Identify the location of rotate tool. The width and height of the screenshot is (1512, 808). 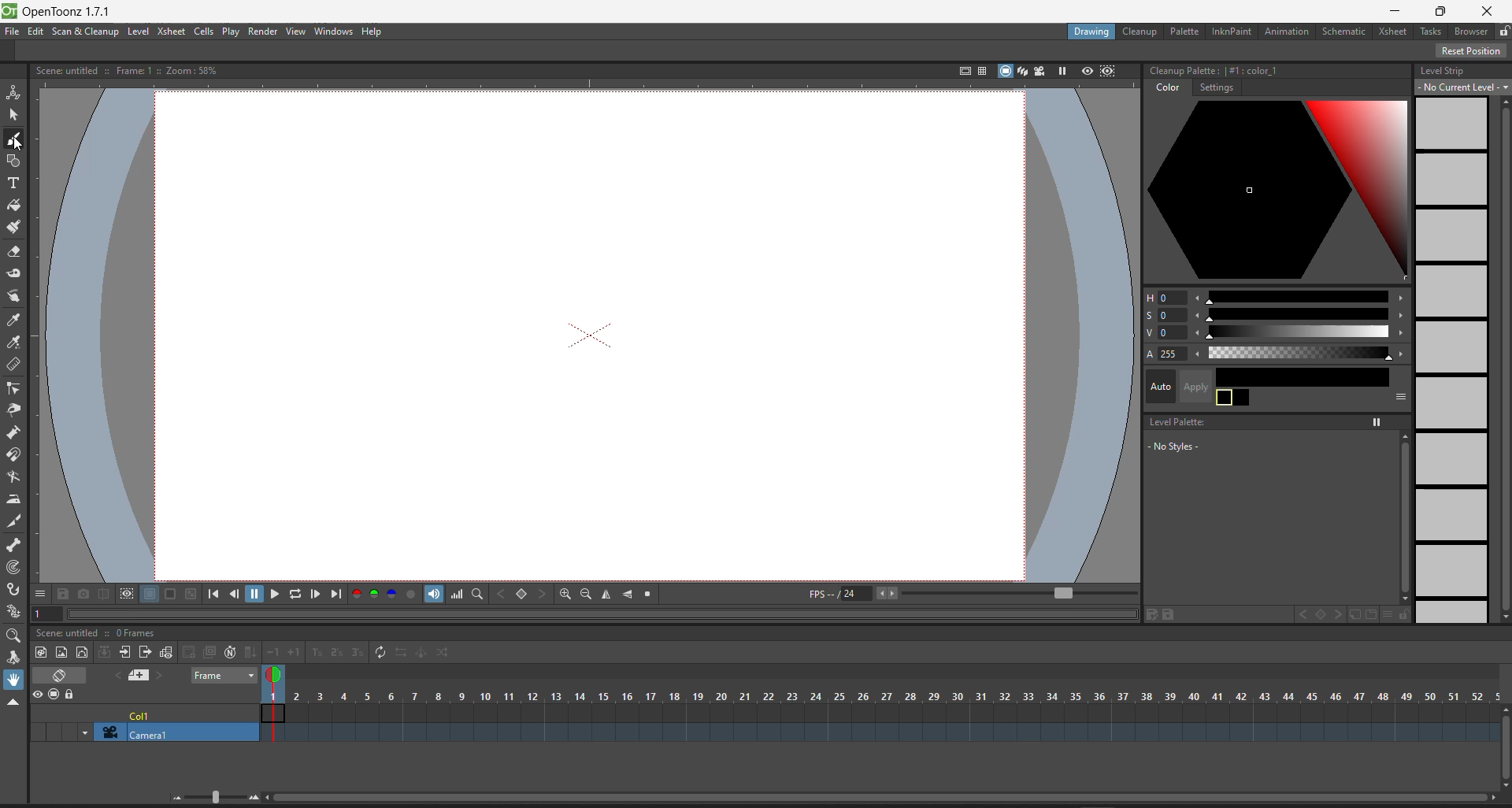
(16, 656).